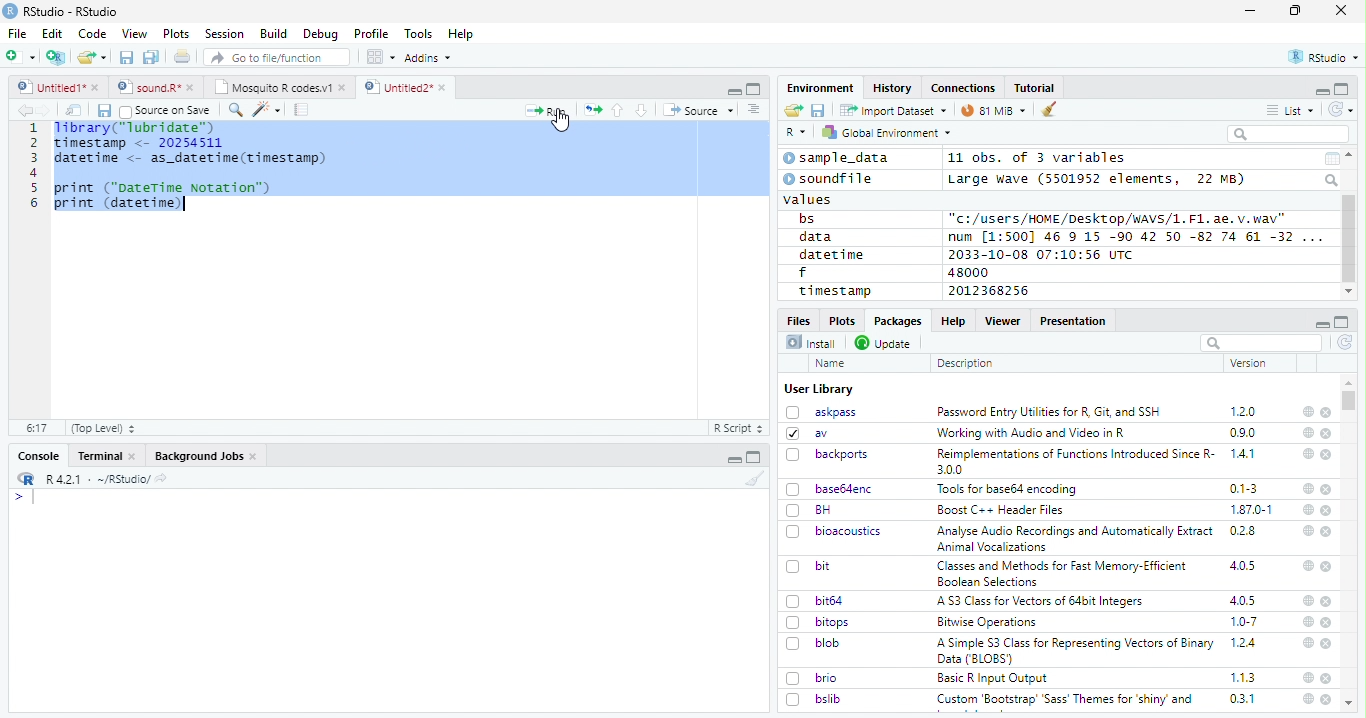 This screenshot has width=1366, height=718. I want to click on close, so click(1328, 532).